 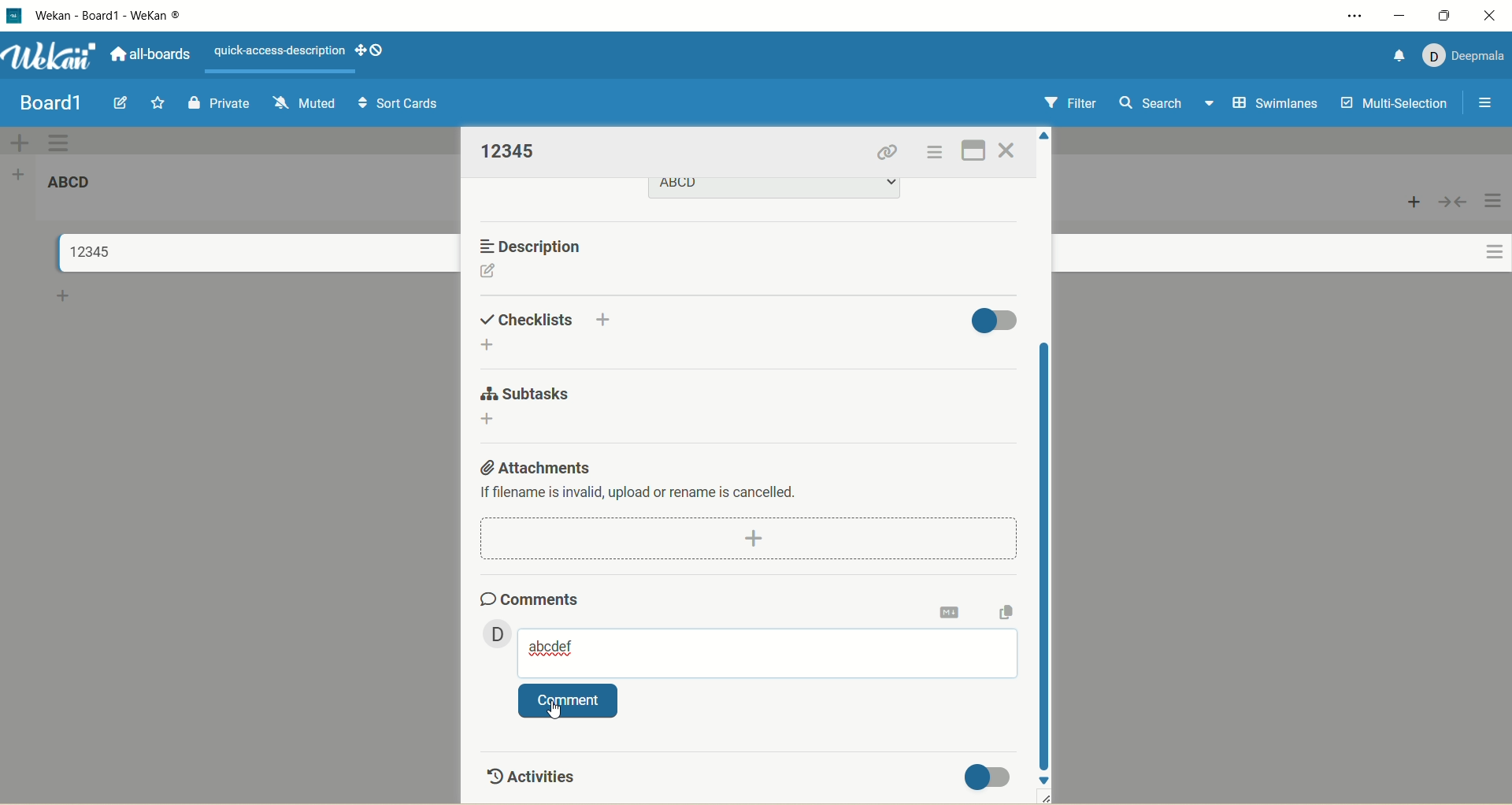 I want to click on dd, so click(x=753, y=539).